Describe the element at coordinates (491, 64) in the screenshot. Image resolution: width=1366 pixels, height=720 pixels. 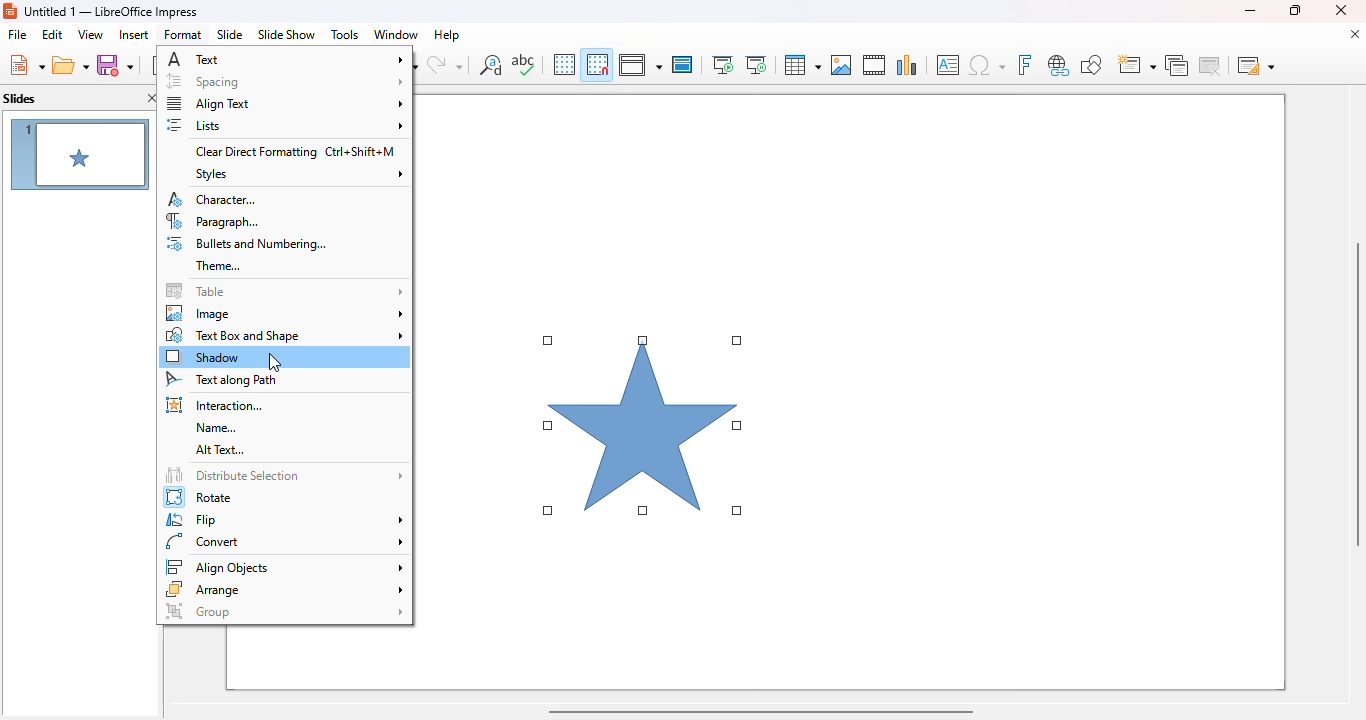
I see `find and replace` at that location.